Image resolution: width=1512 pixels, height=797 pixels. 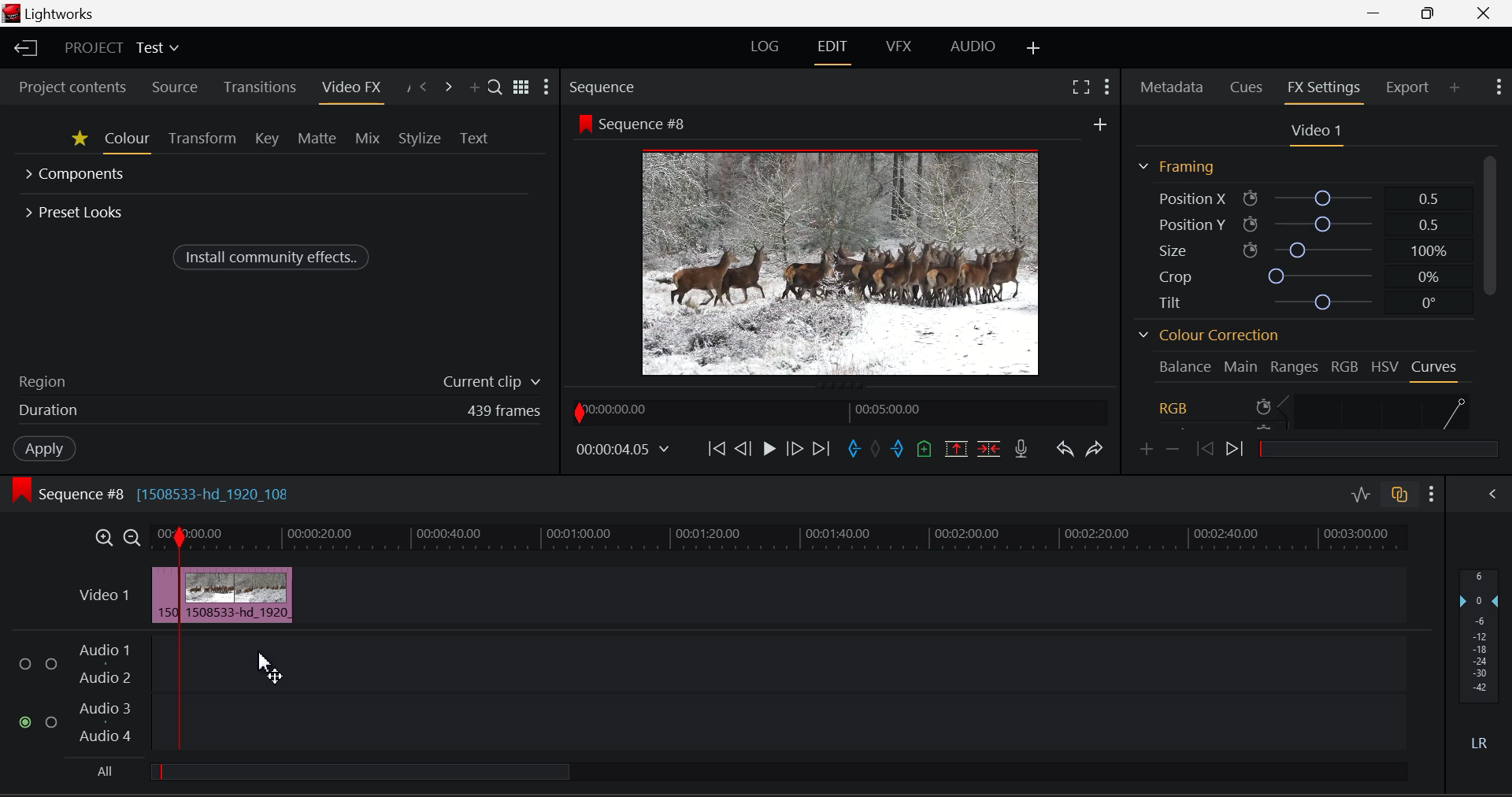 I want to click on Frame Duration, so click(x=280, y=411).